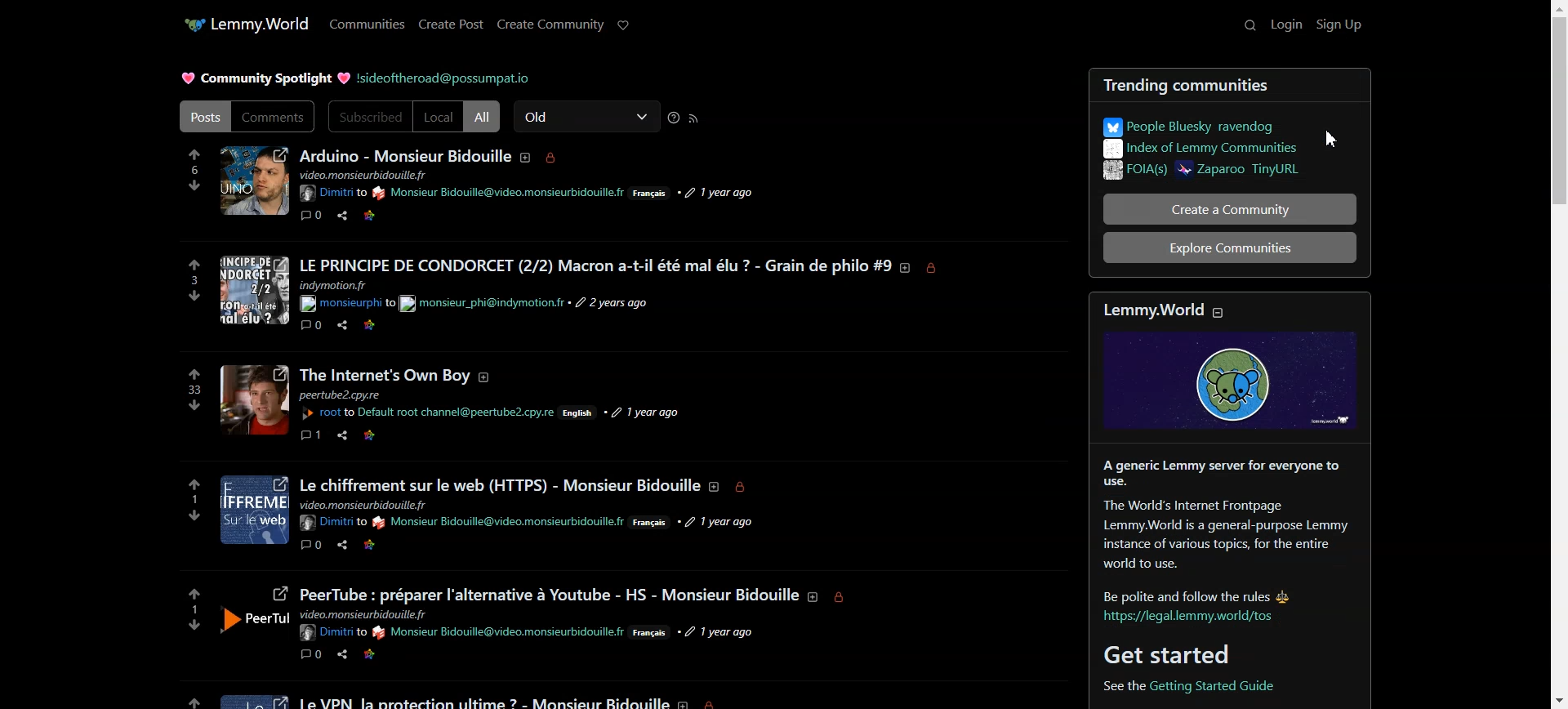 Image resolution: width=1568 pixels, height=709 pixels. Describe the element at coordinates (675, 118) in the screenshot. I see `Sorting help` at that location.